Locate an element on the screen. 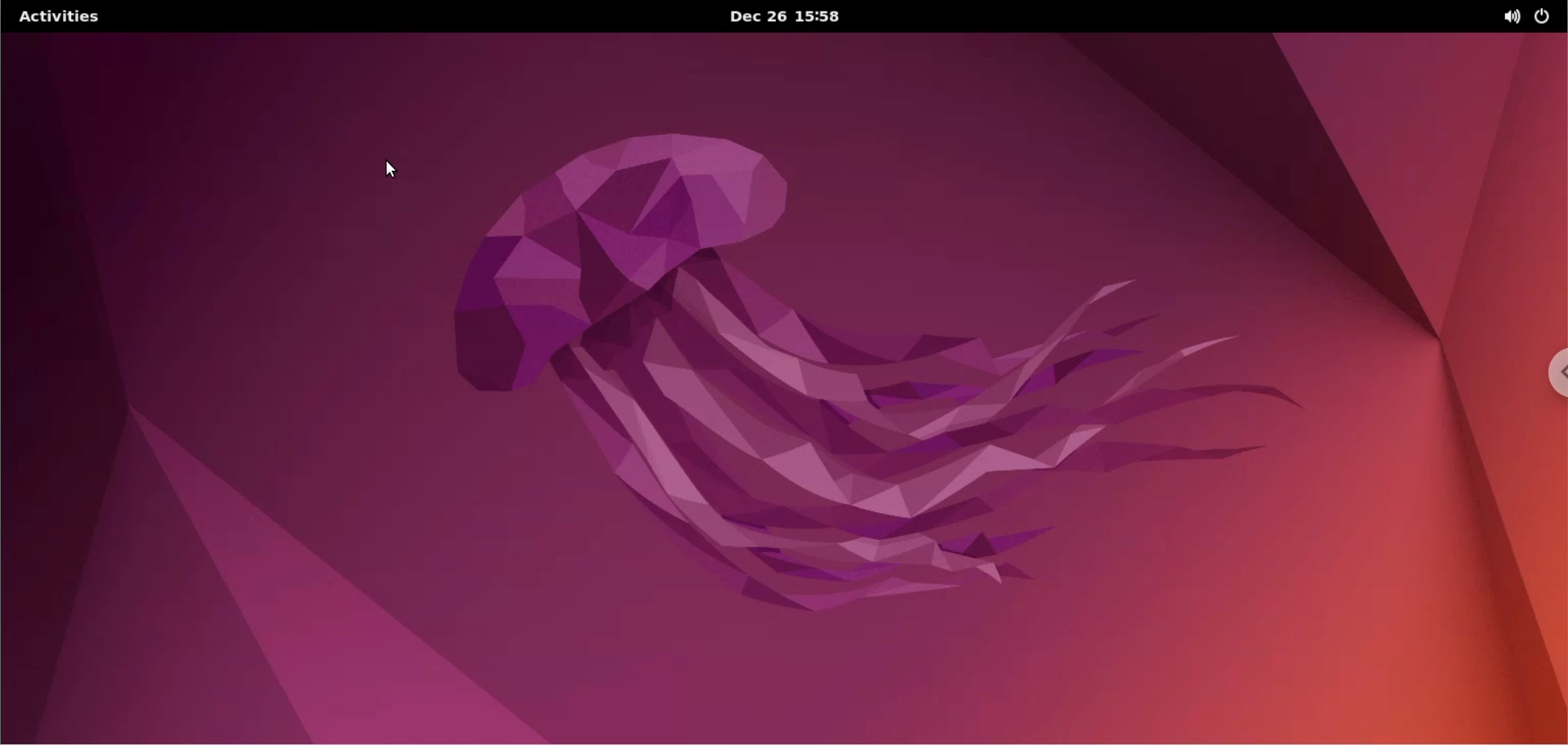 Image resolution: width=1568 pixels, height=745 pixels. chrome options is located at coordinates (1548, 377).